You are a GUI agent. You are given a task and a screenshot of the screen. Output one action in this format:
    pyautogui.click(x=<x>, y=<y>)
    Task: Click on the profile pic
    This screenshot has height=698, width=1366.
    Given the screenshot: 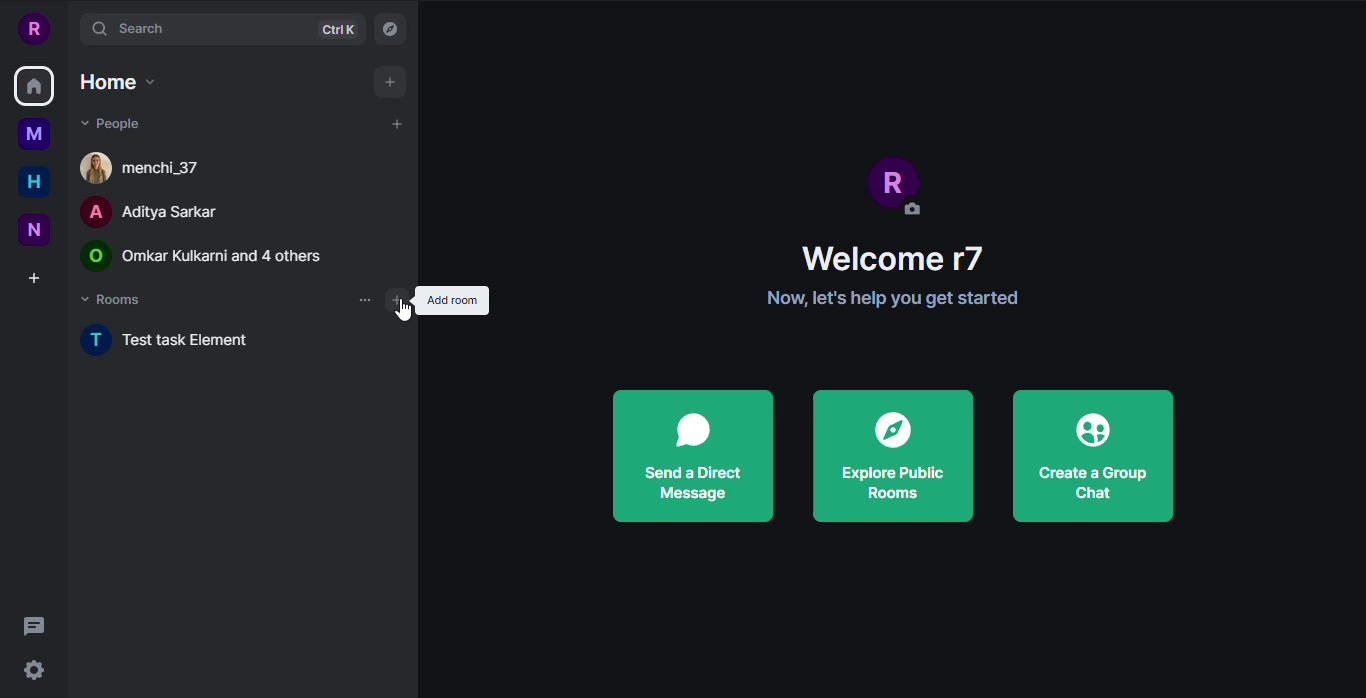 What is the action you would take?
    pyautogui.click(x=897, y=184)
    